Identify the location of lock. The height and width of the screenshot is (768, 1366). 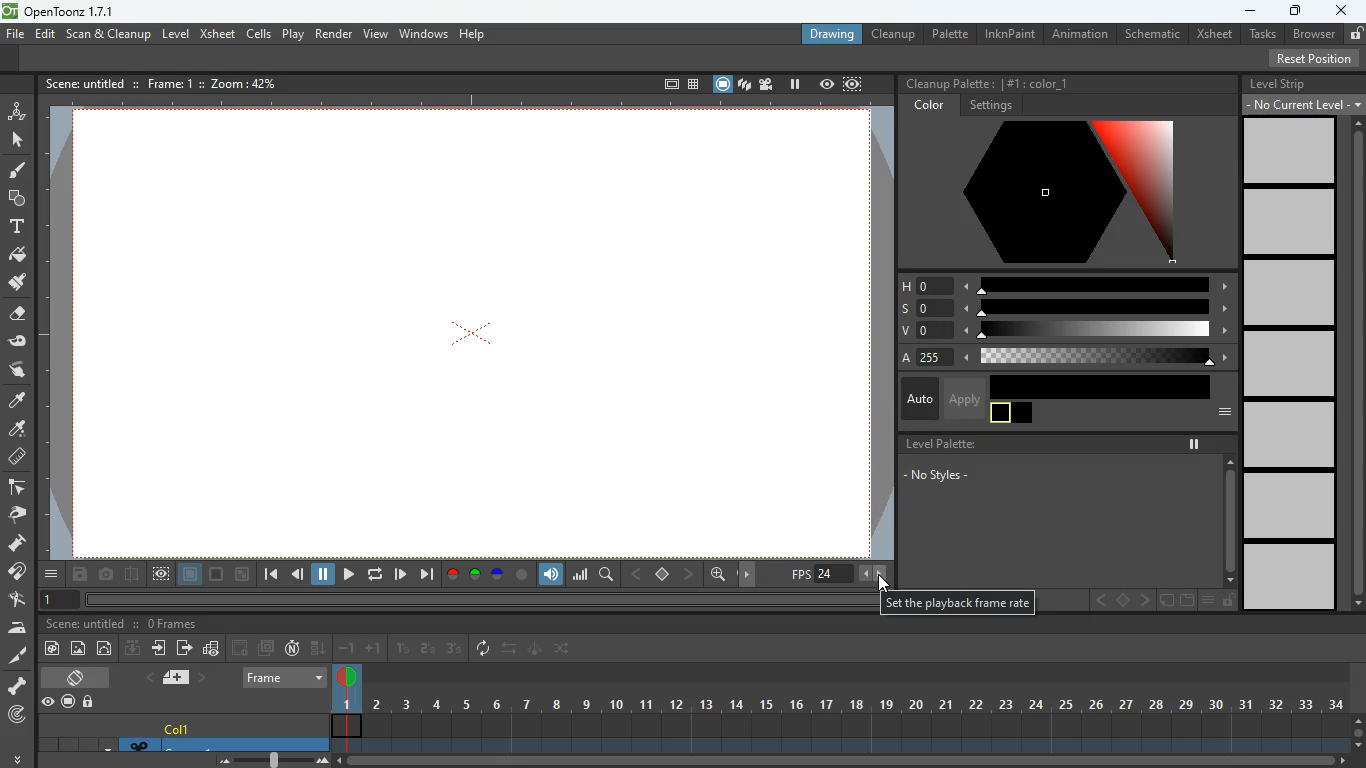
(92, 702).